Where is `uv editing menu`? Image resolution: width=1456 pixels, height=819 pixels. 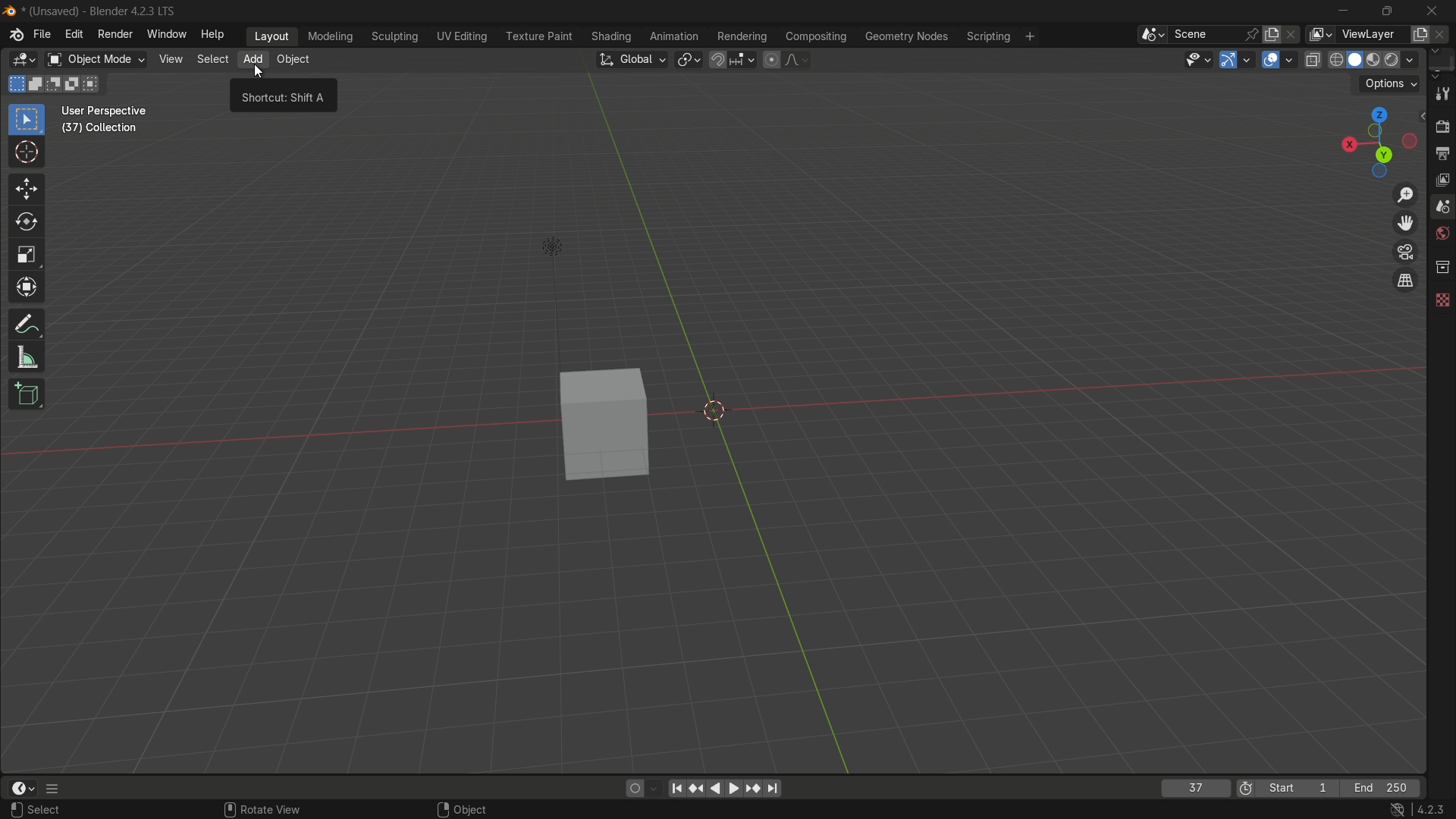 uv editing menu is located at coordinates (462, 36).